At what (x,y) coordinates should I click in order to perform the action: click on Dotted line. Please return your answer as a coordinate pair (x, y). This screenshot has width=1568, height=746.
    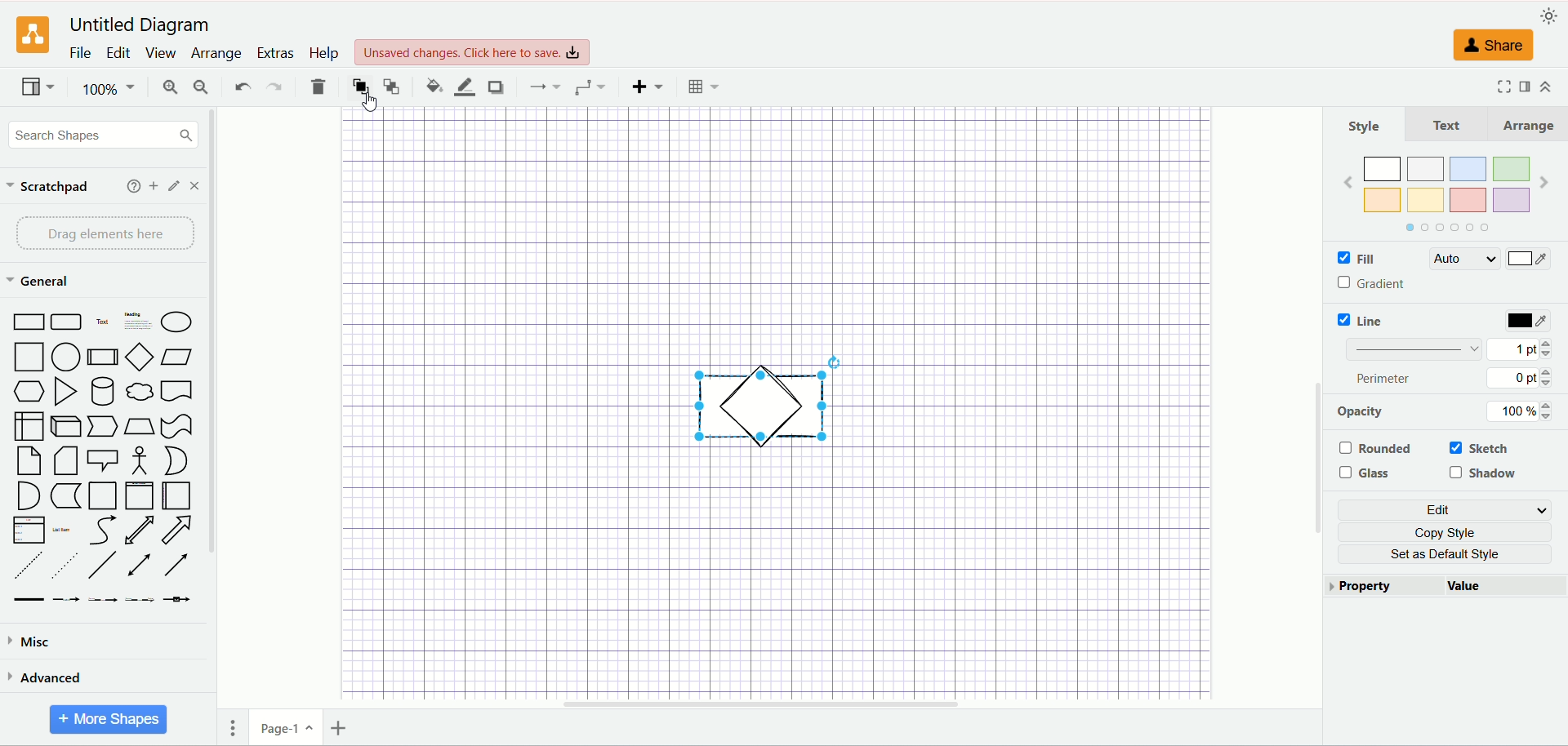
    Looking at the image, I should click on (64, 564).